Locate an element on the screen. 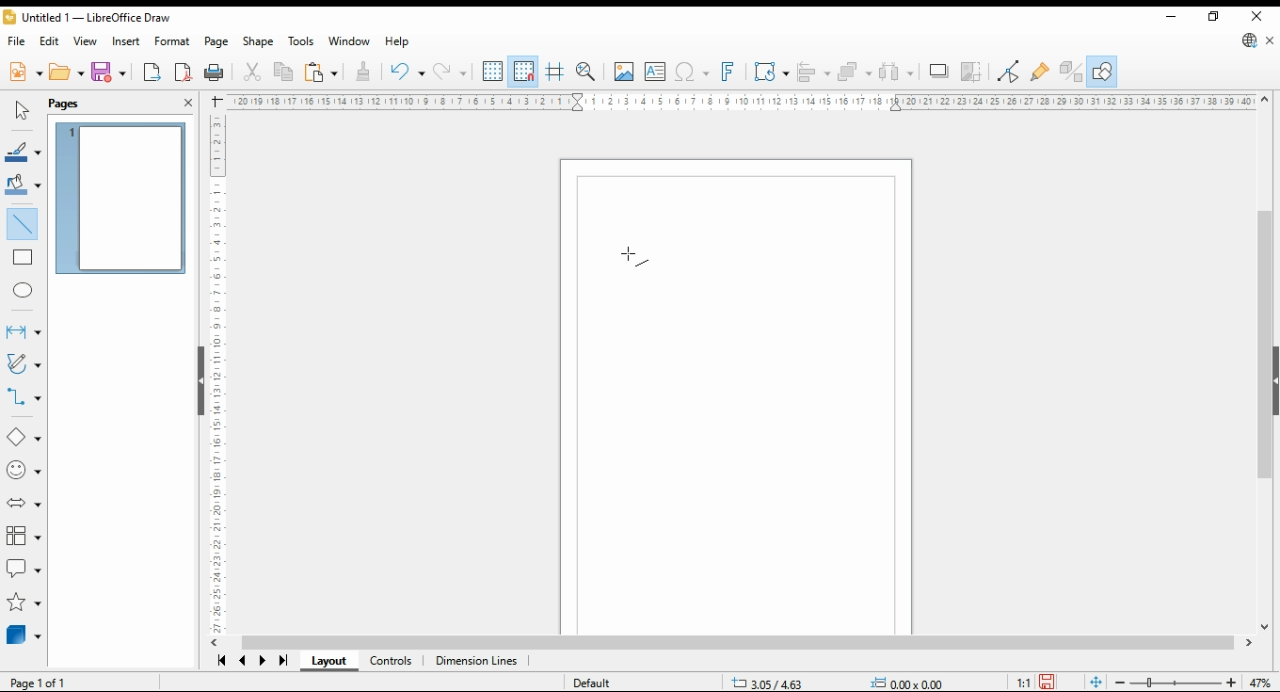  last page is located at coordinates (282, 661).